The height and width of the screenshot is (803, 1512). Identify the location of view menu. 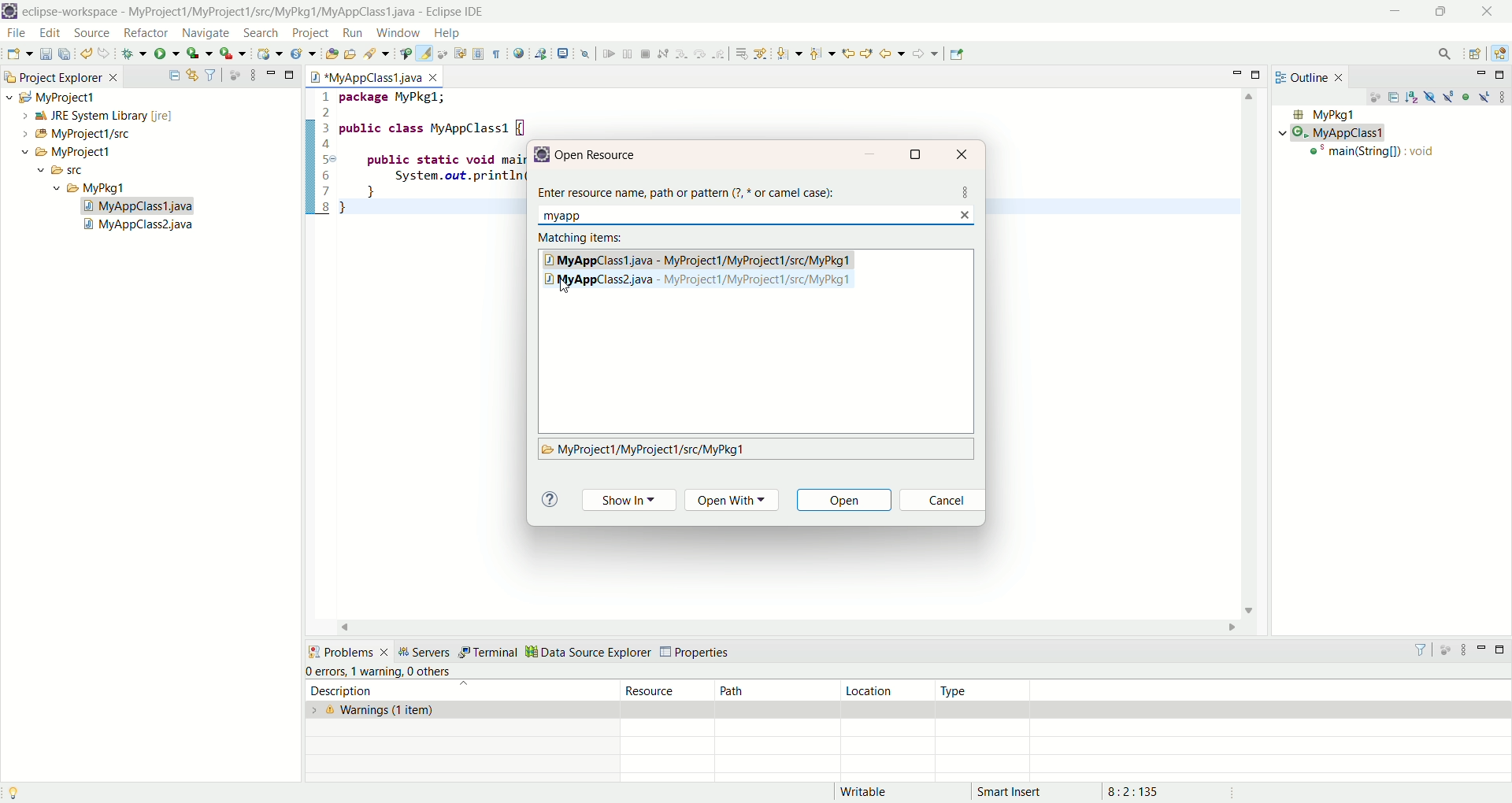
(1463, 650).